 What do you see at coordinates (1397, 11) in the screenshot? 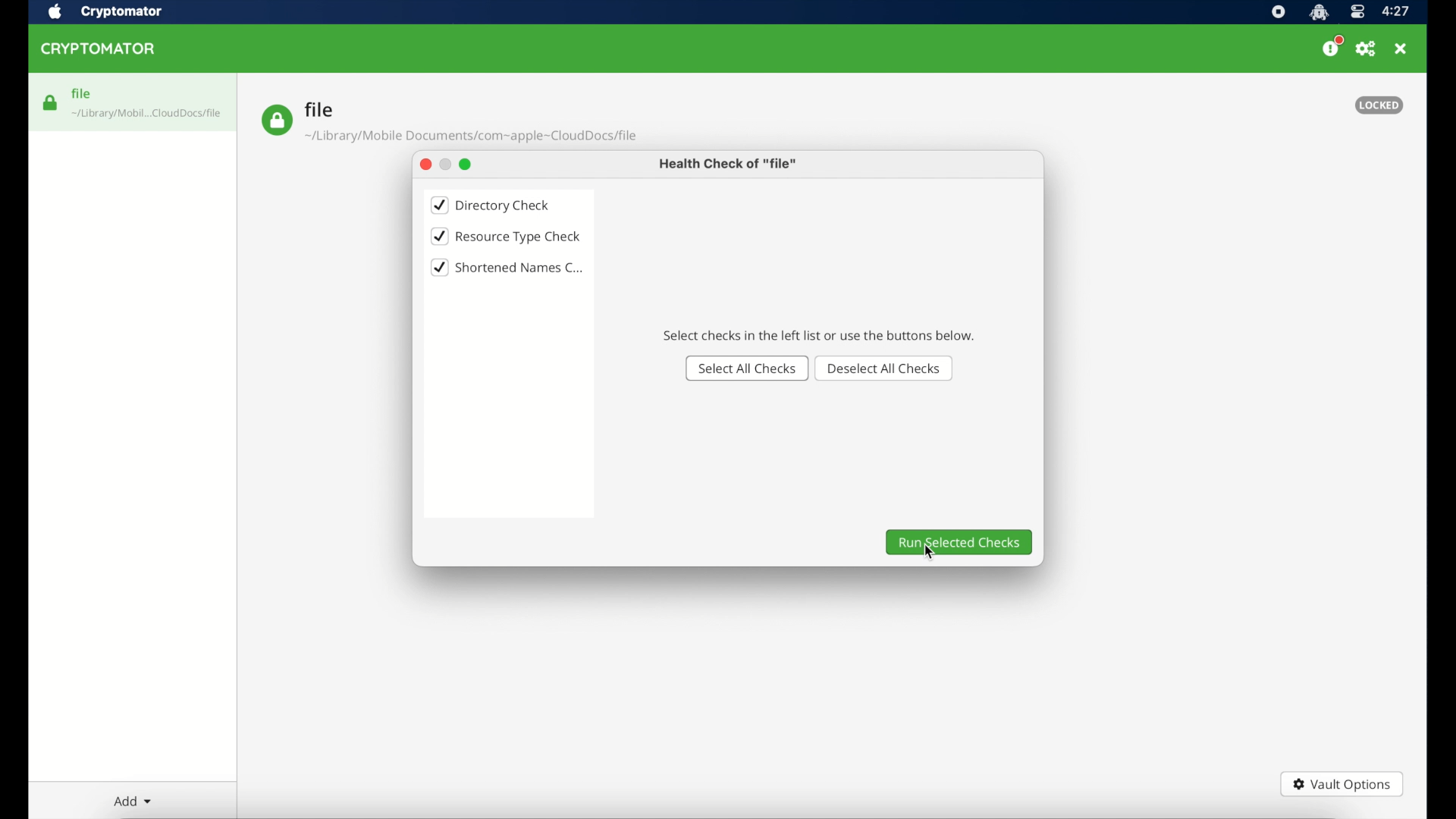
I see `time` at bounding box center [1397, 11].